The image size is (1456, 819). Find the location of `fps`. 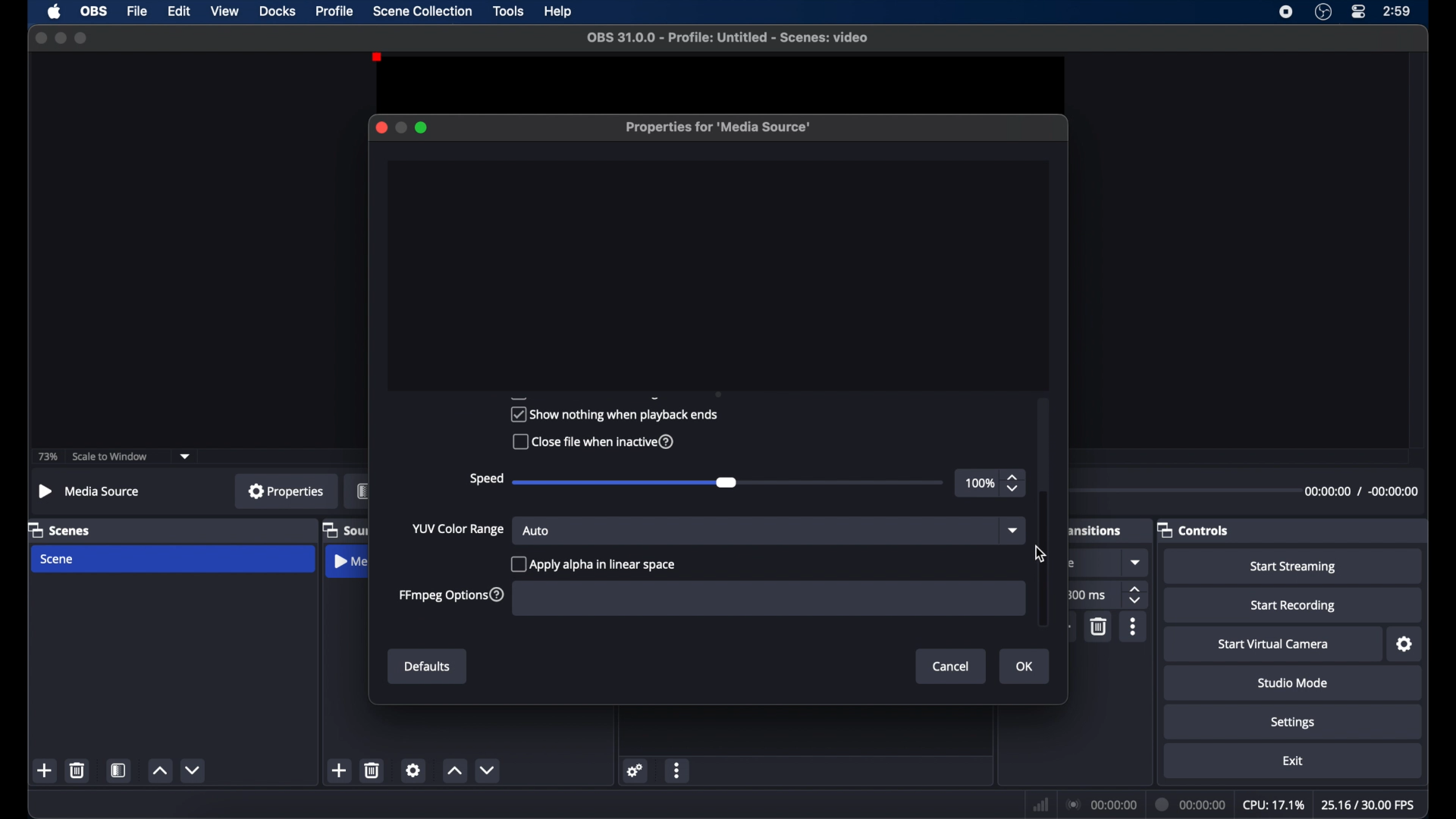

fps is located at coordinates (1369, 805).